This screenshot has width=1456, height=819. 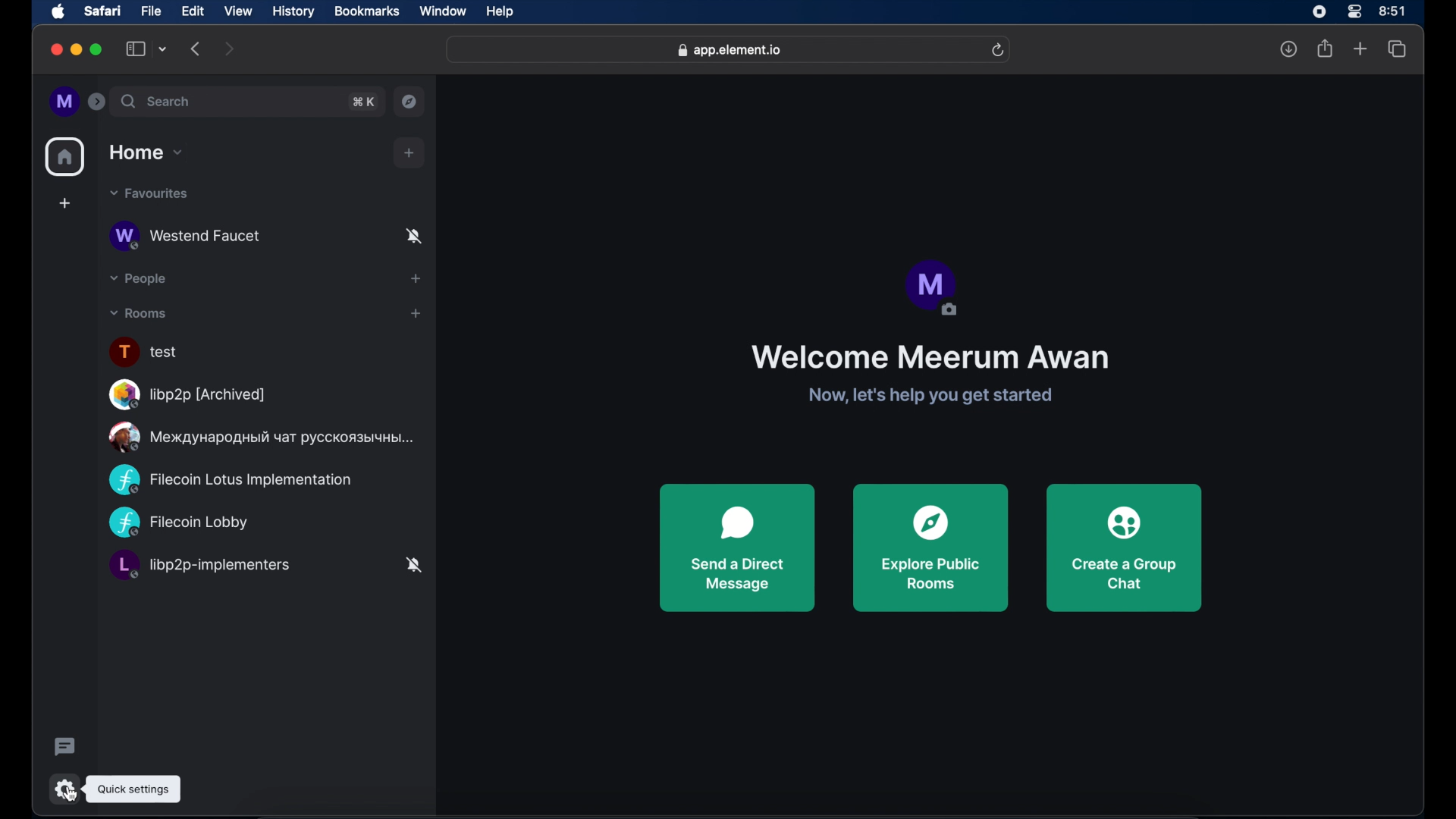 What do you see at coordinates (1399, 52) in the screenshot?
I see `show tab overview` at bounding box center [1399, 52].